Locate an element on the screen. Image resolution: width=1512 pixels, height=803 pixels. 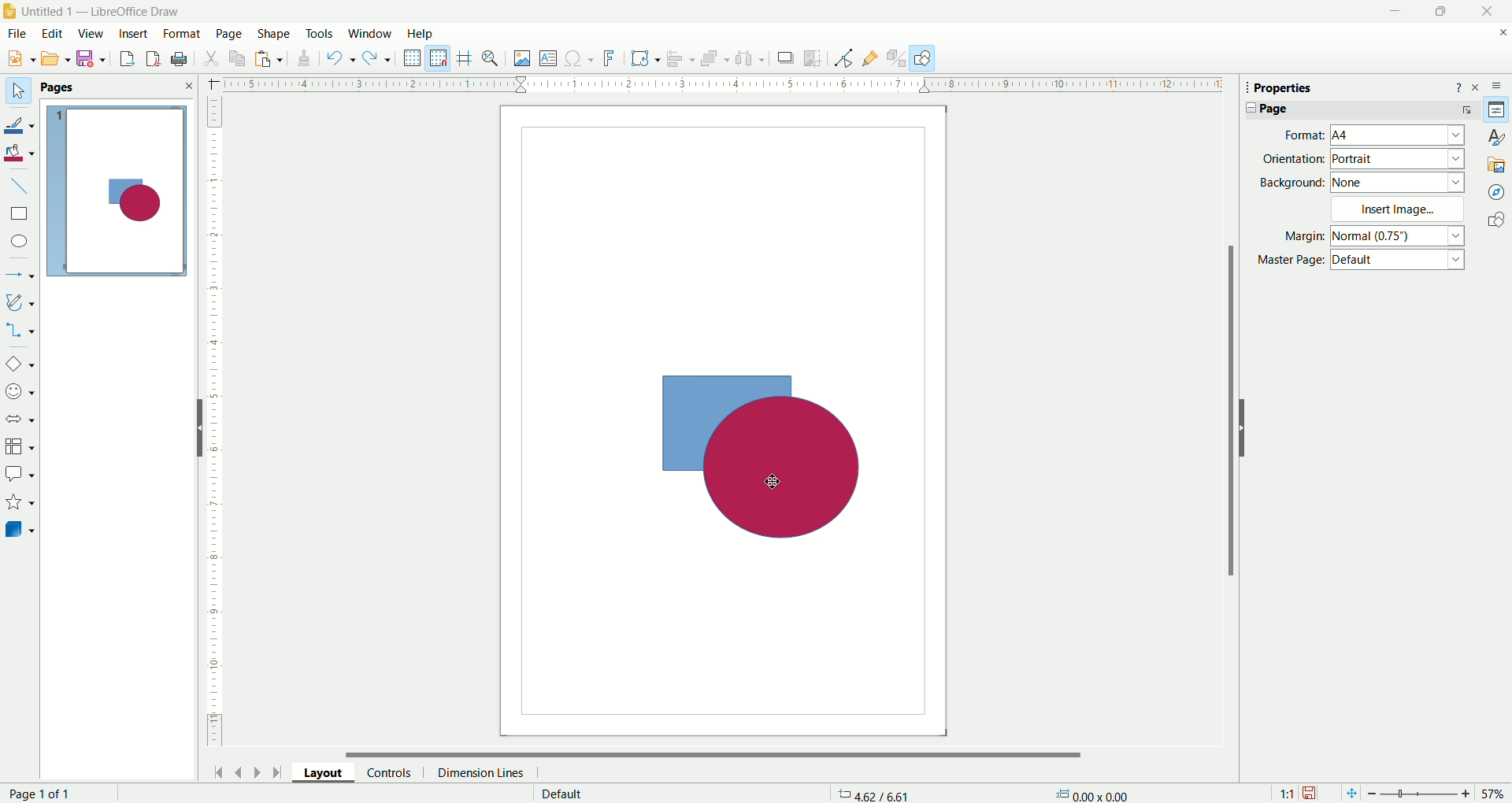
properties is located at coordinates (1499, 109).